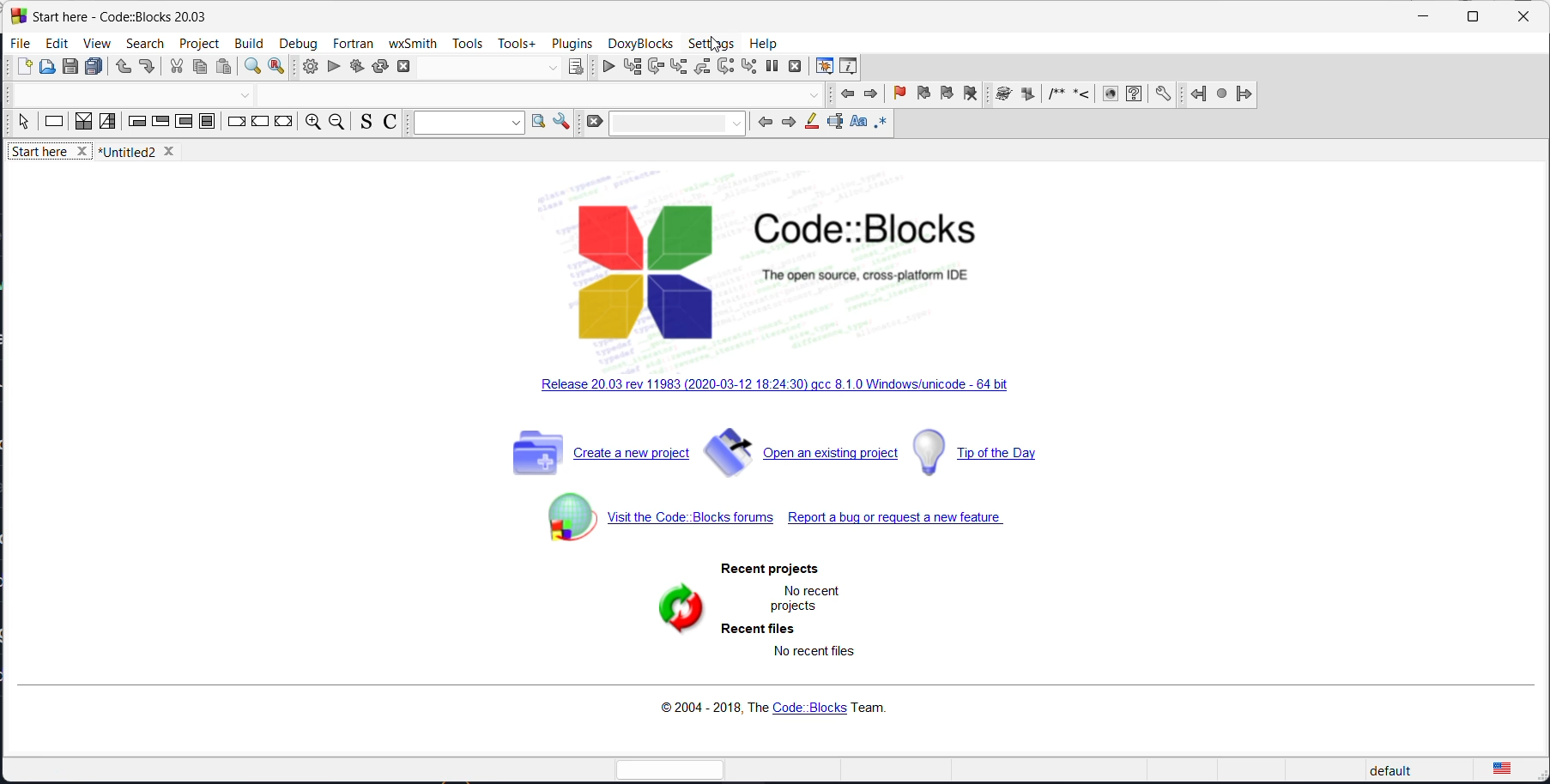 The width and height of the screenshot is (1550, 784). What do you see at coordinates (1027, 95) in the screenshot?
I see `icon` at bounding box center [1027, 95].